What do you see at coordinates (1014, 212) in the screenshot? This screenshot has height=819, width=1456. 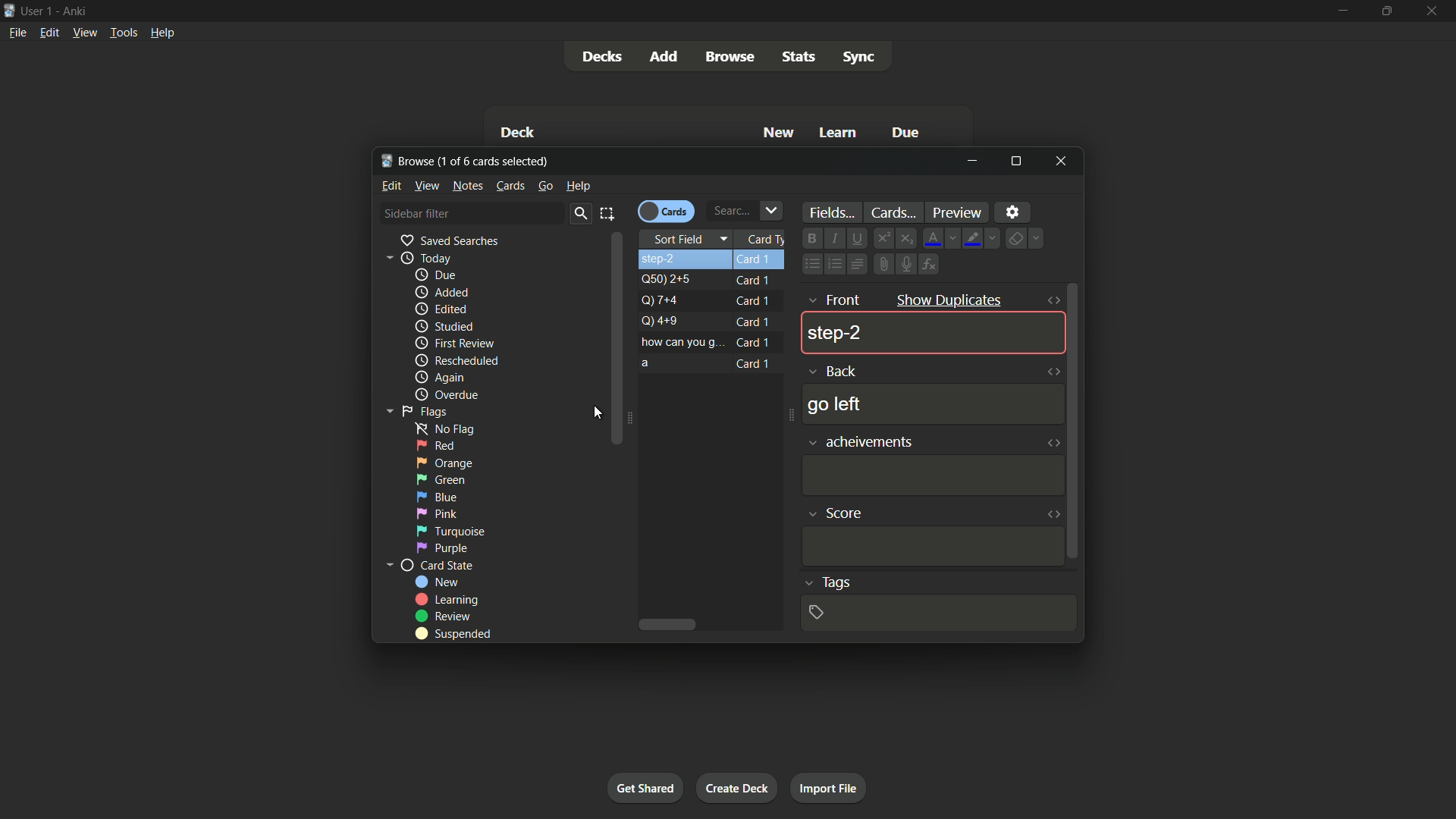 I see `Settings` at bounding box center [1014, 212].